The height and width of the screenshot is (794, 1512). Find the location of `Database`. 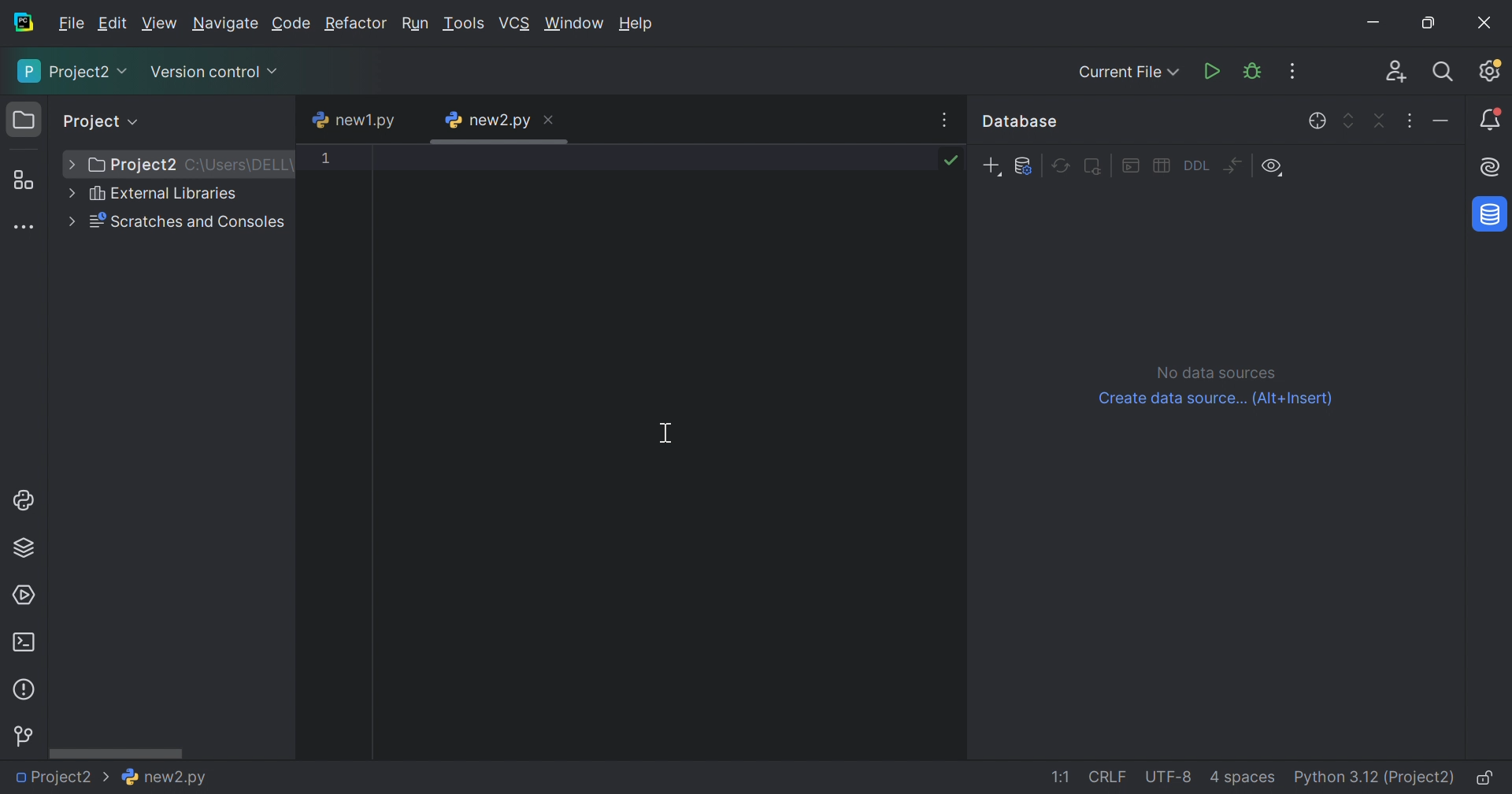

Database is located at coordinates (1492, 213).